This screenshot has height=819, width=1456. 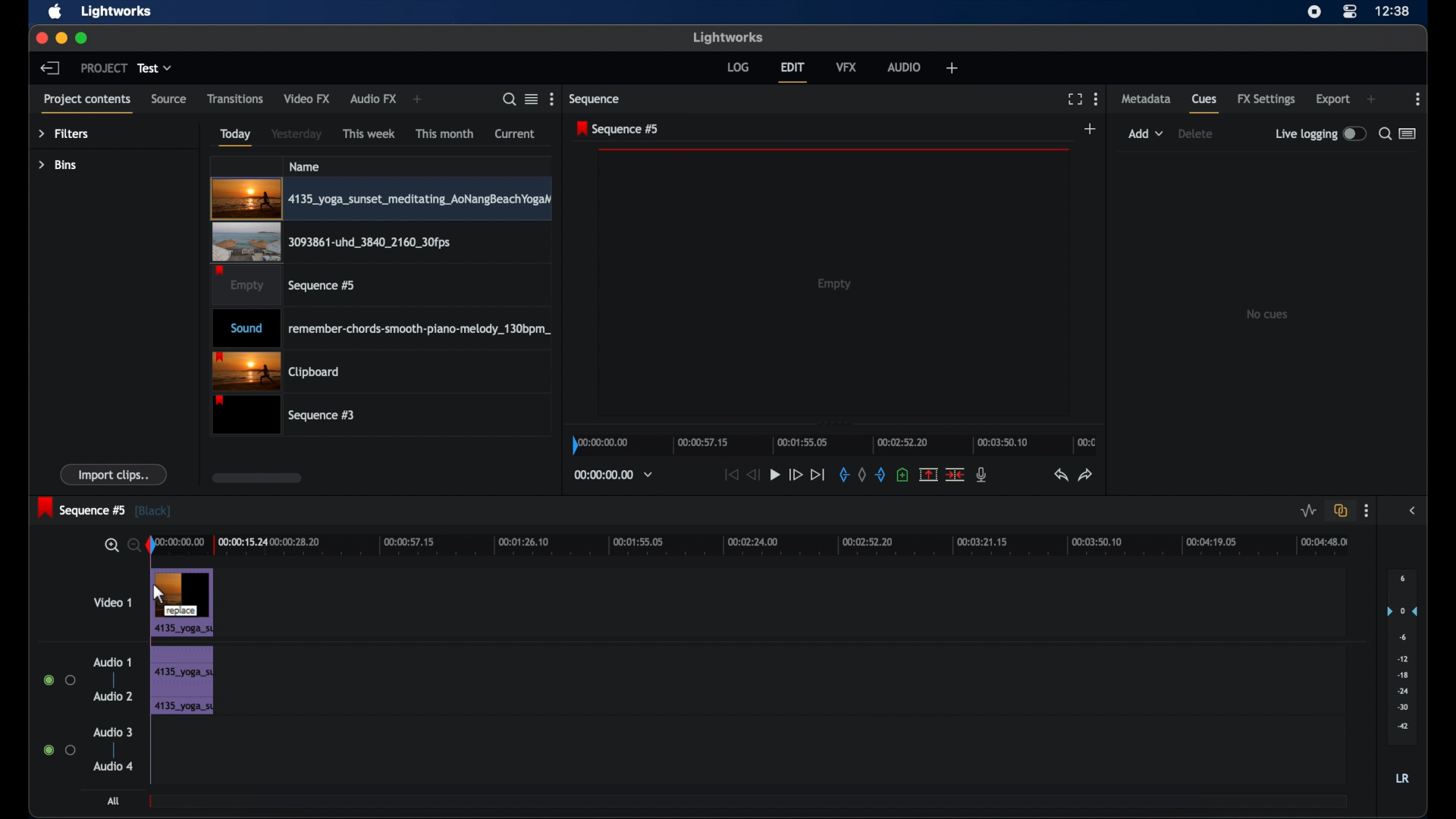 What do you see at coordinates (552, 99) in the screenshot?
I see `more options` at bounding box center [552, 99].